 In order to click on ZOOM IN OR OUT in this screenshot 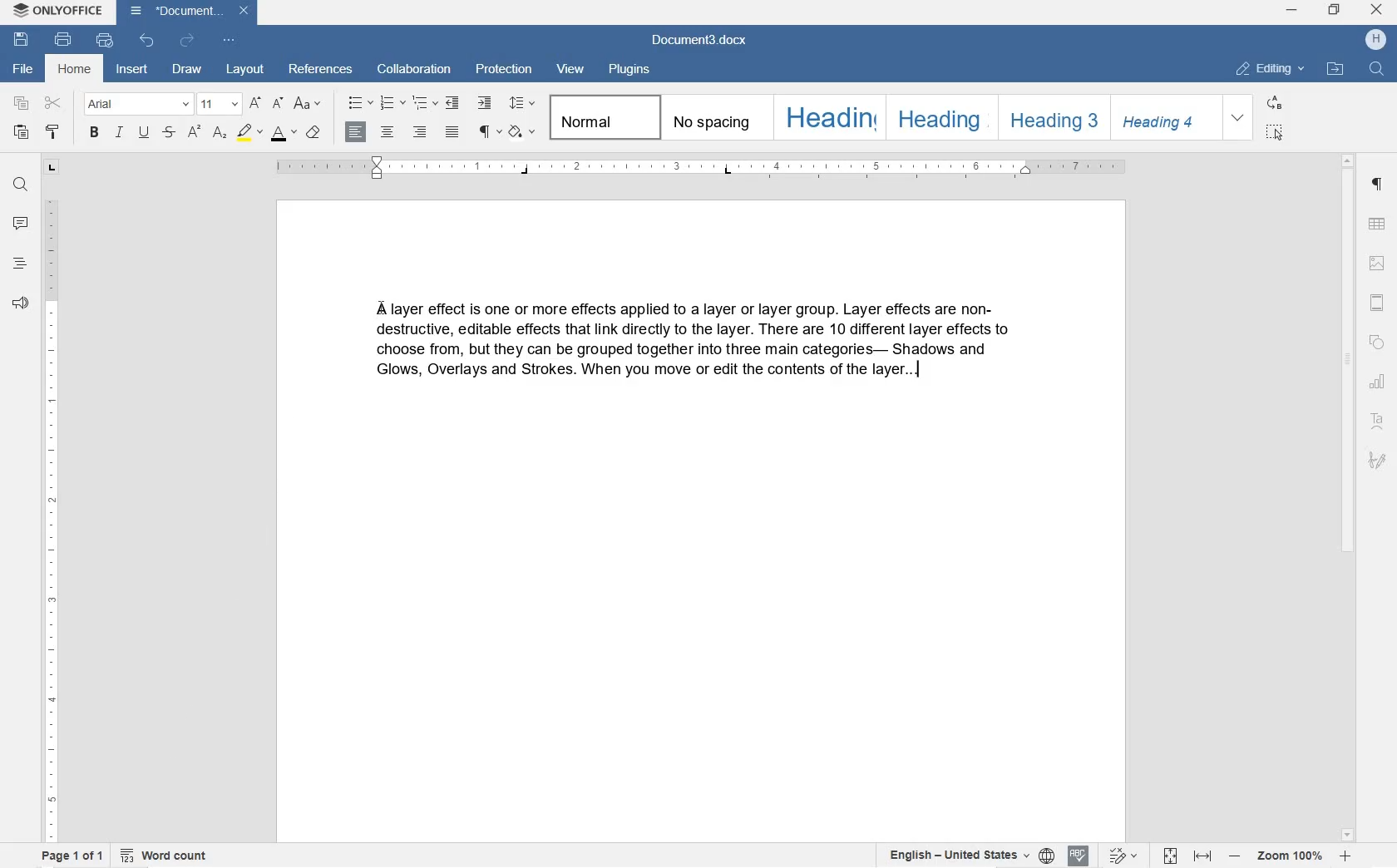, I will do `click(1290, 856)`.